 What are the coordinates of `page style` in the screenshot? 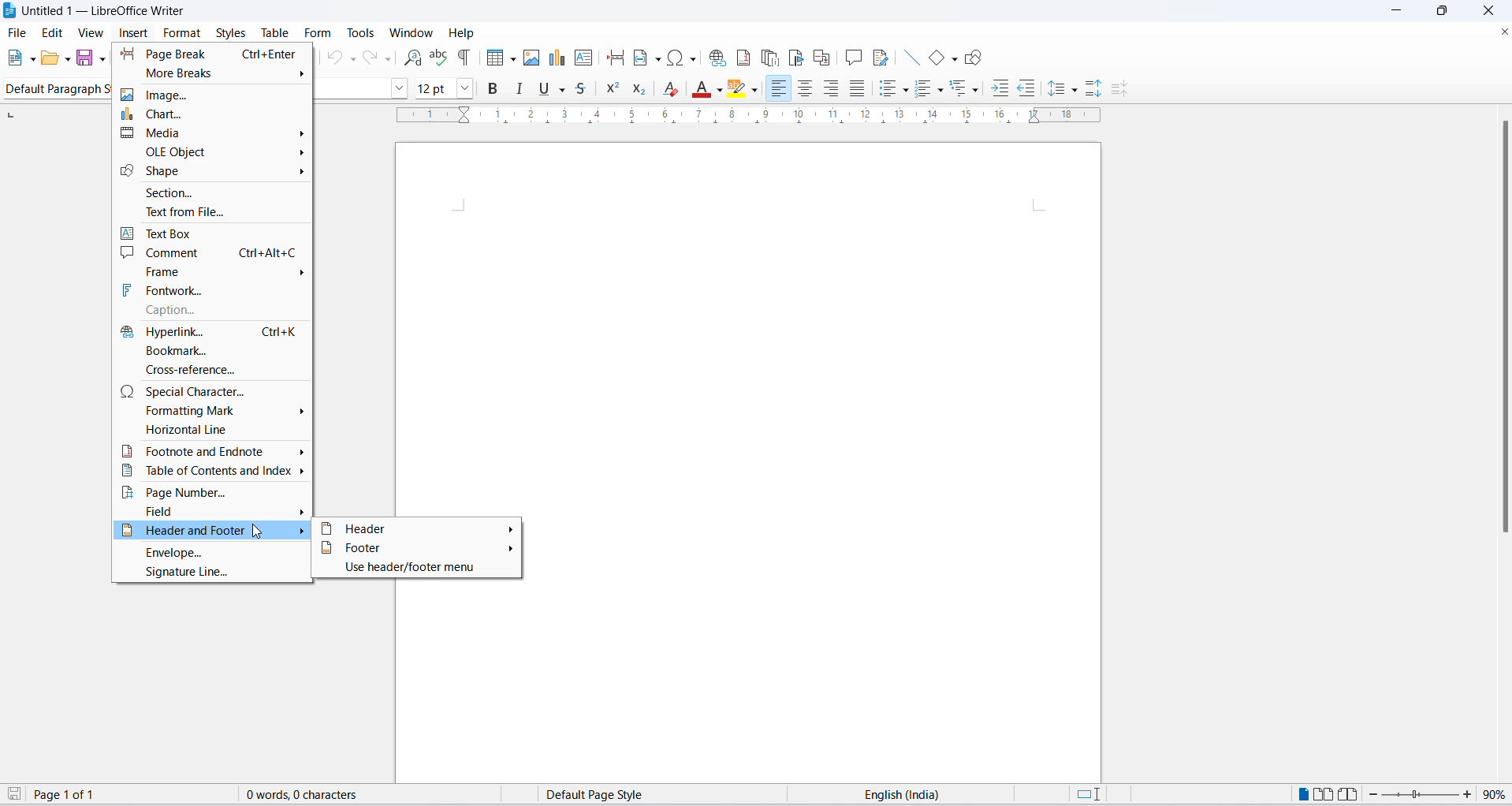 It's located at (605, 794).